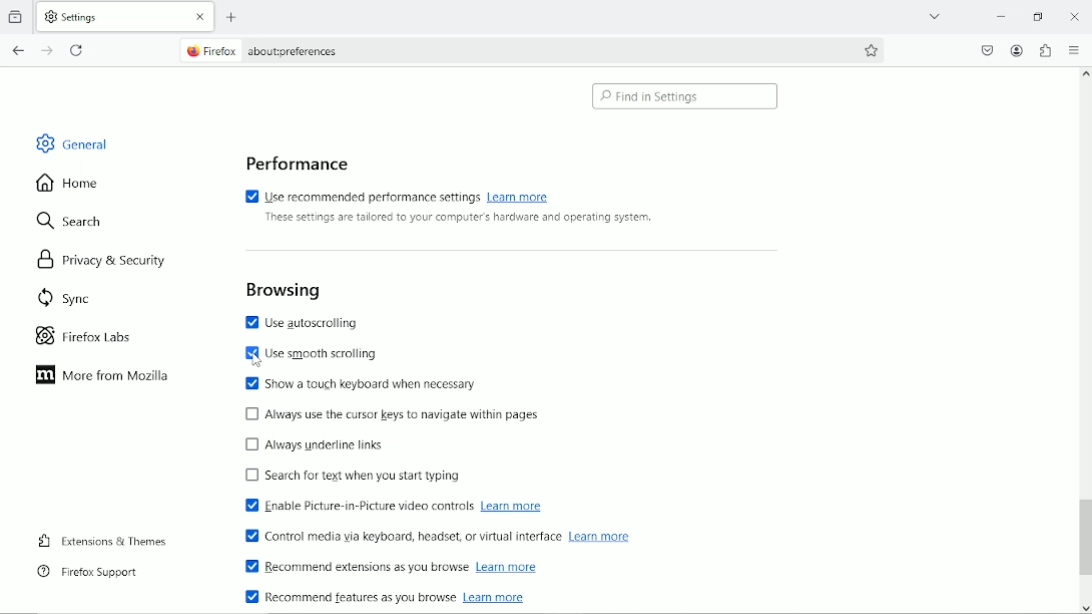 The image size is (1092, 614). What do you see at coordinates (1046, 50) in the screenshot?
I see `extensions` at bounding box center [1046, 50].